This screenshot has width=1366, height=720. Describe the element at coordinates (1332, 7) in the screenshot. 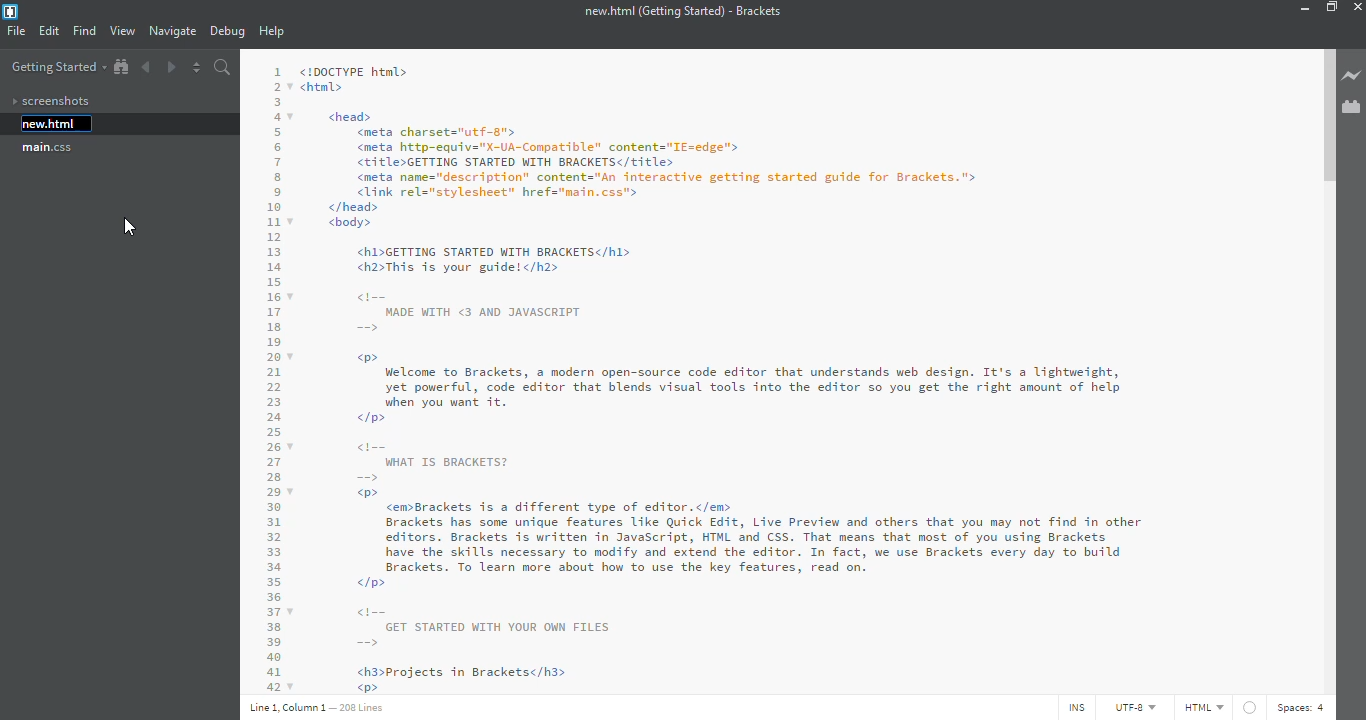

I see `maximize` at that location.